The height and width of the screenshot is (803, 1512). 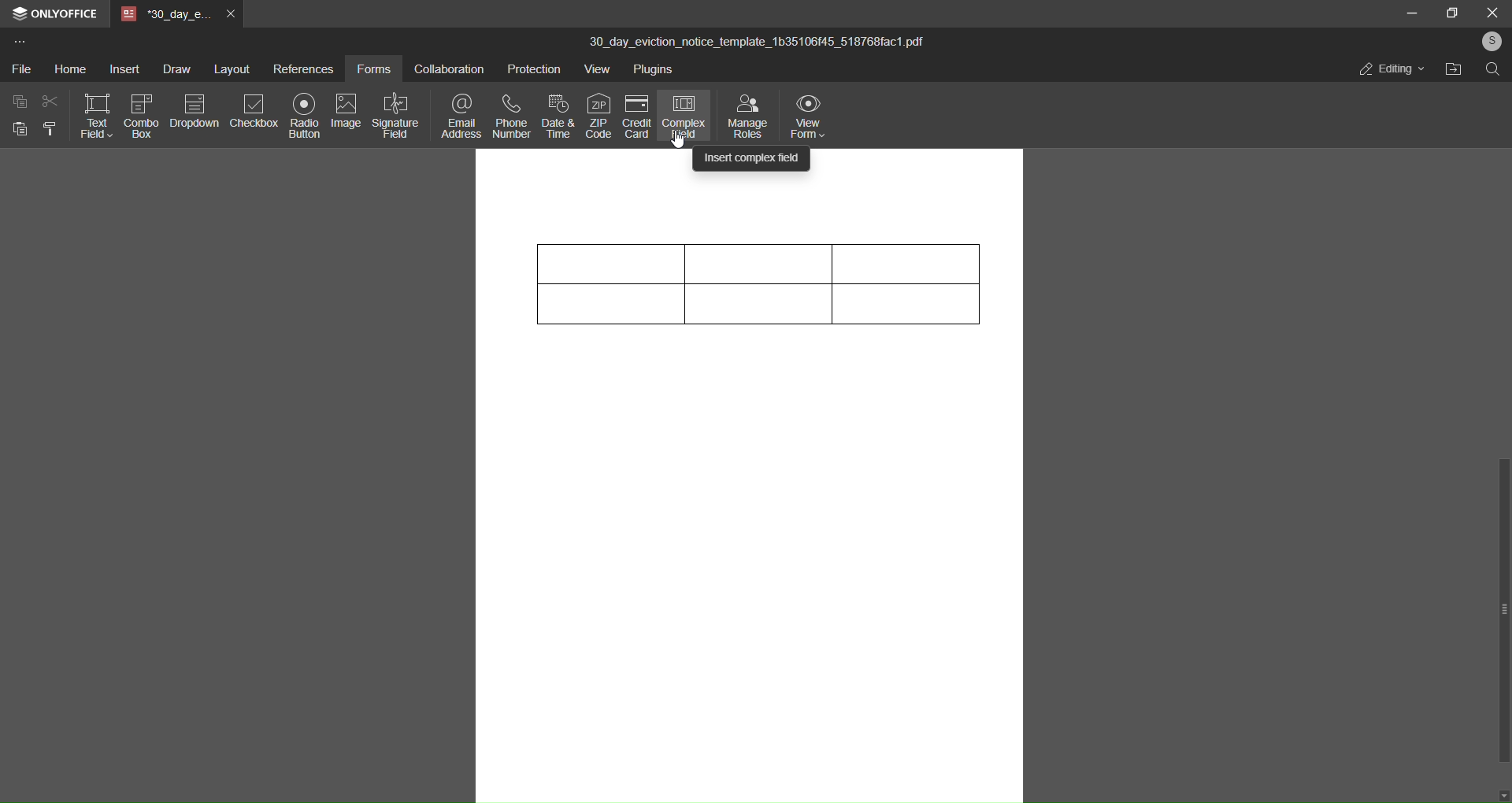 I want to click on logo, so click(x=20, y=16).